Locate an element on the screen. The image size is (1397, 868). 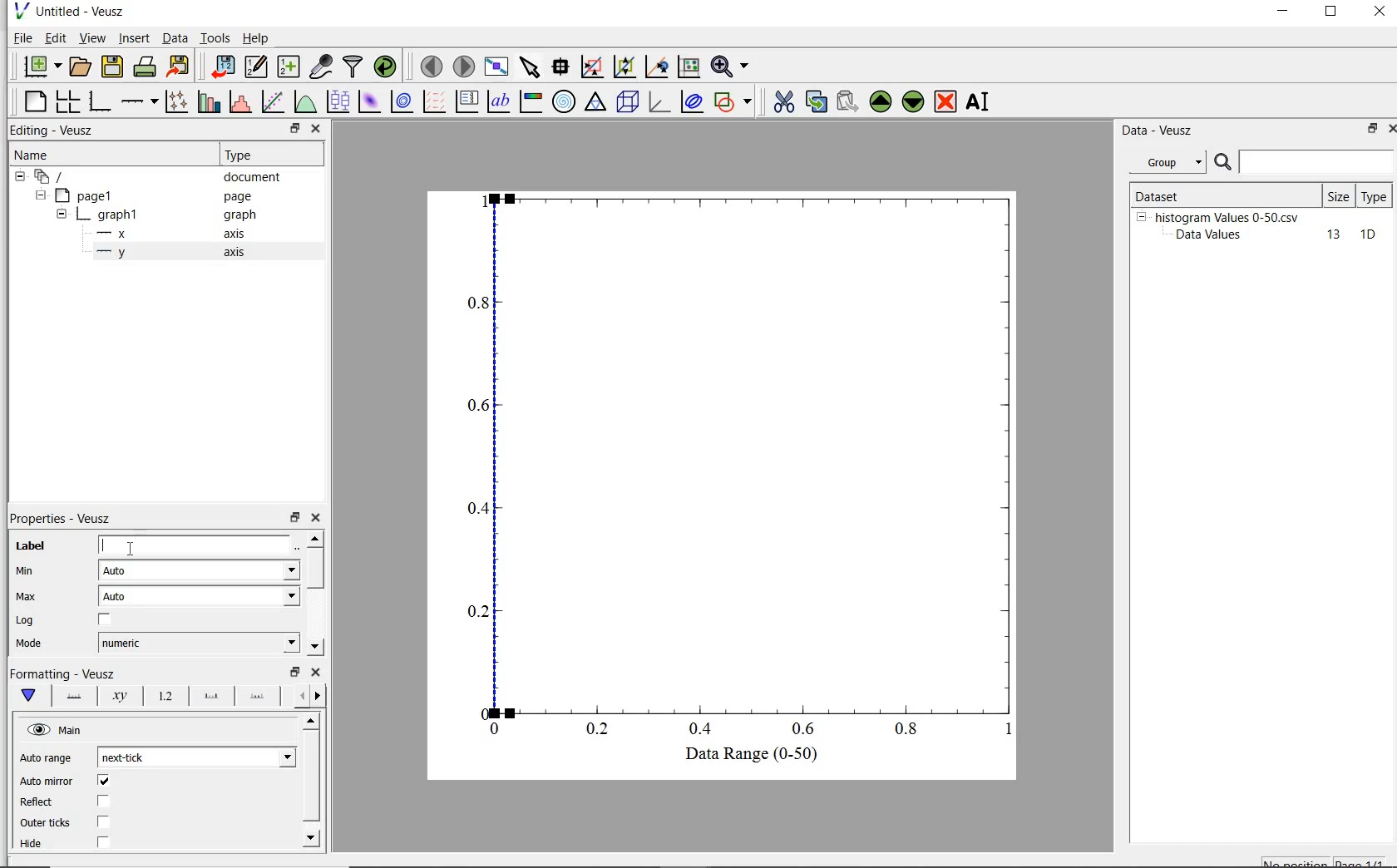
hide is located at coordinates (62, 215).